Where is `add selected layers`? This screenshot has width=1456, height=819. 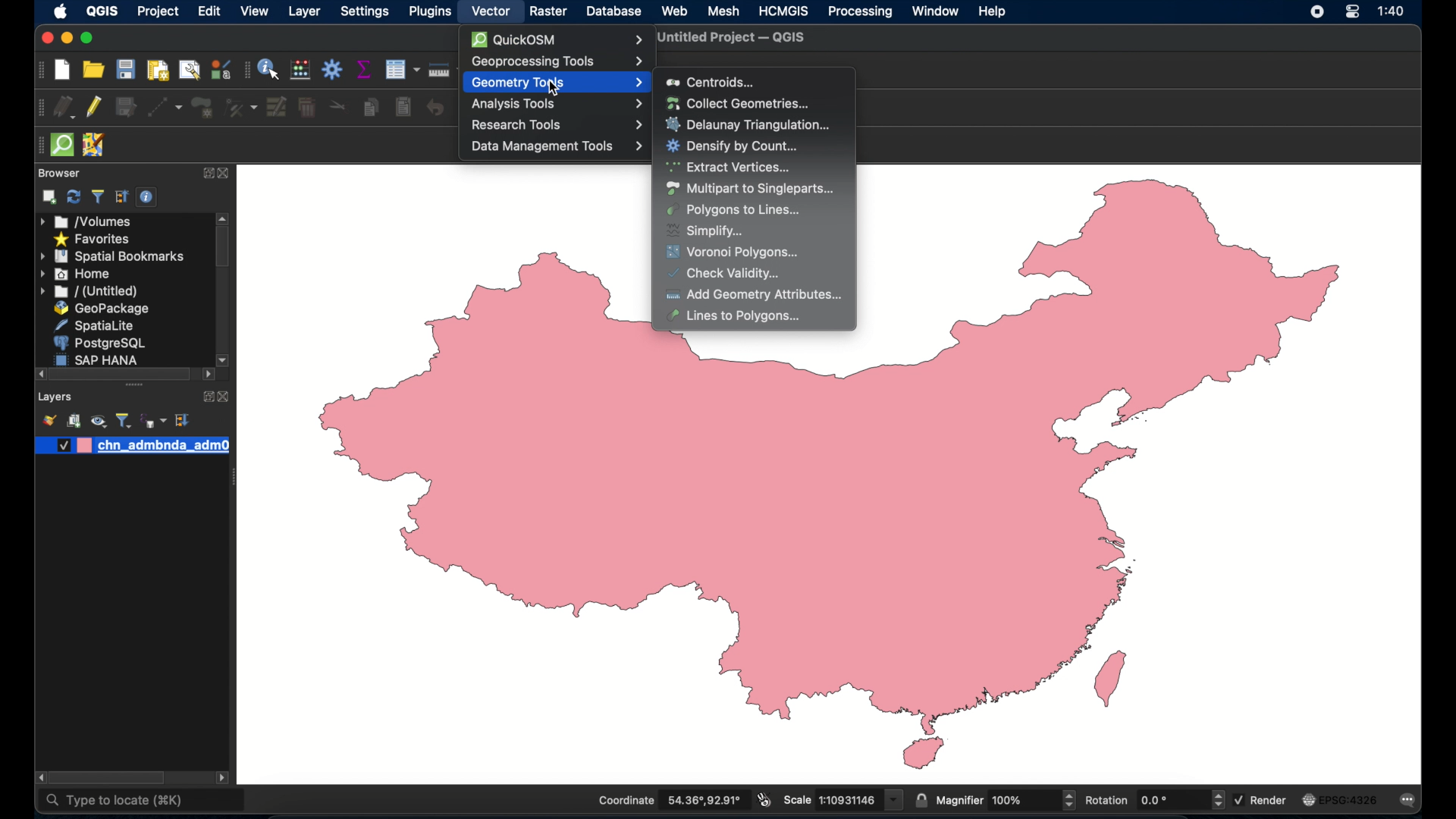 add selected layers is located at coordinates (50, 197).